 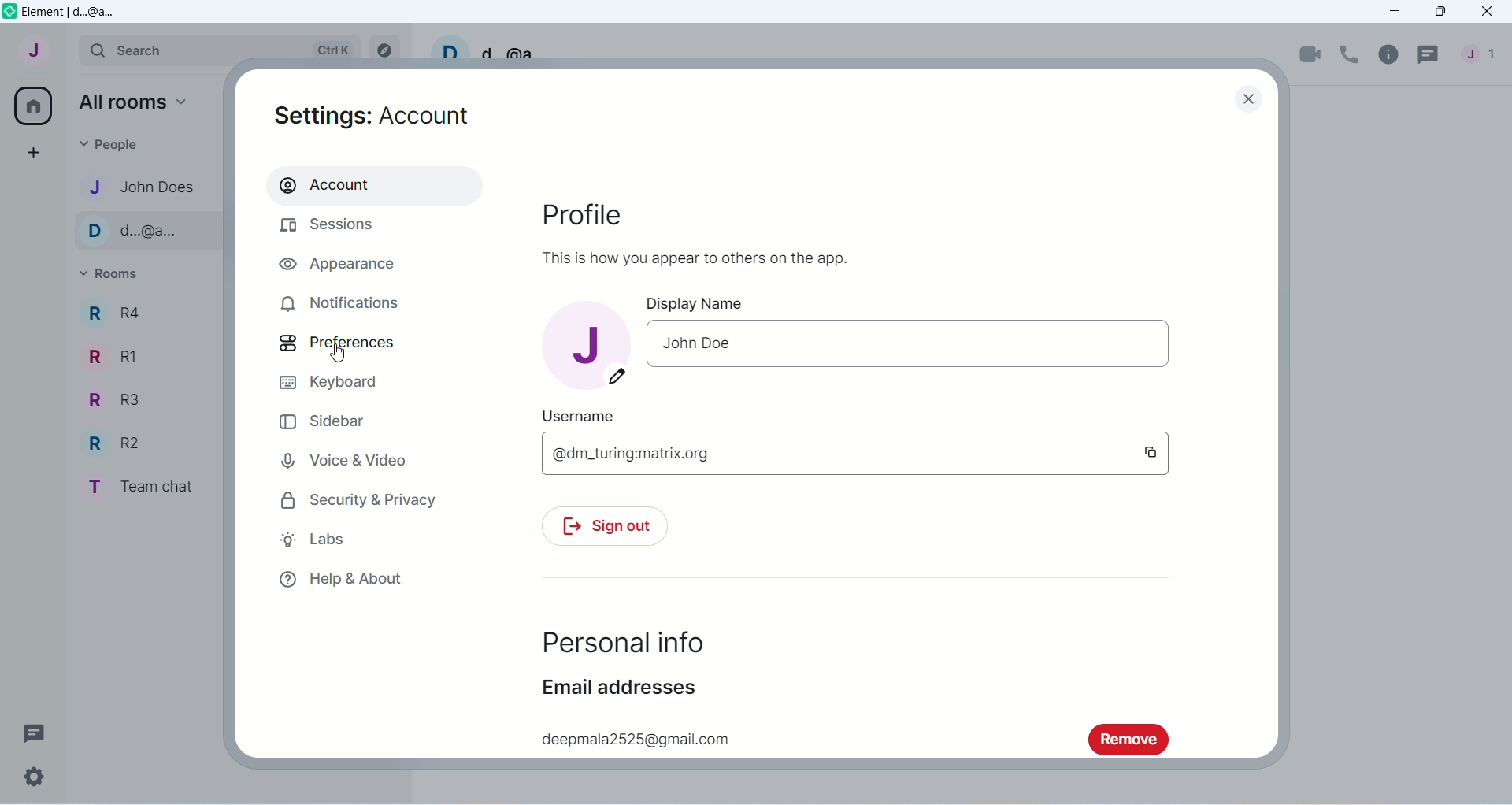 I want to click on cursor movement, so click(x=339, y=354).